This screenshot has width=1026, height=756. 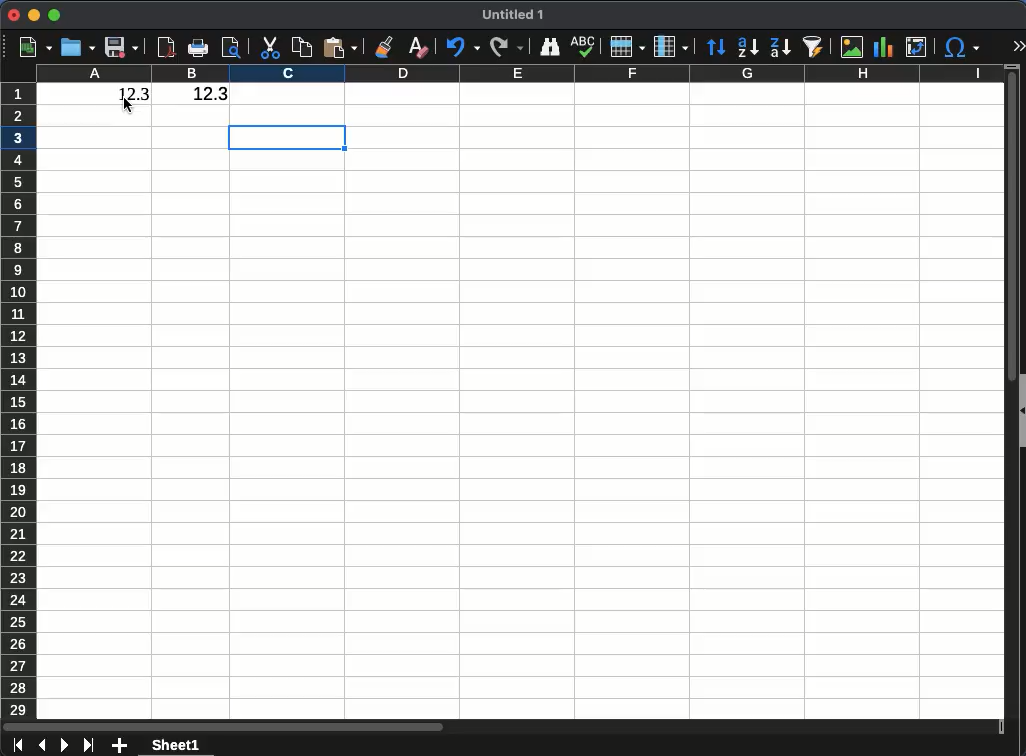 I want to click on cell selection , so click(x=287, y=138).